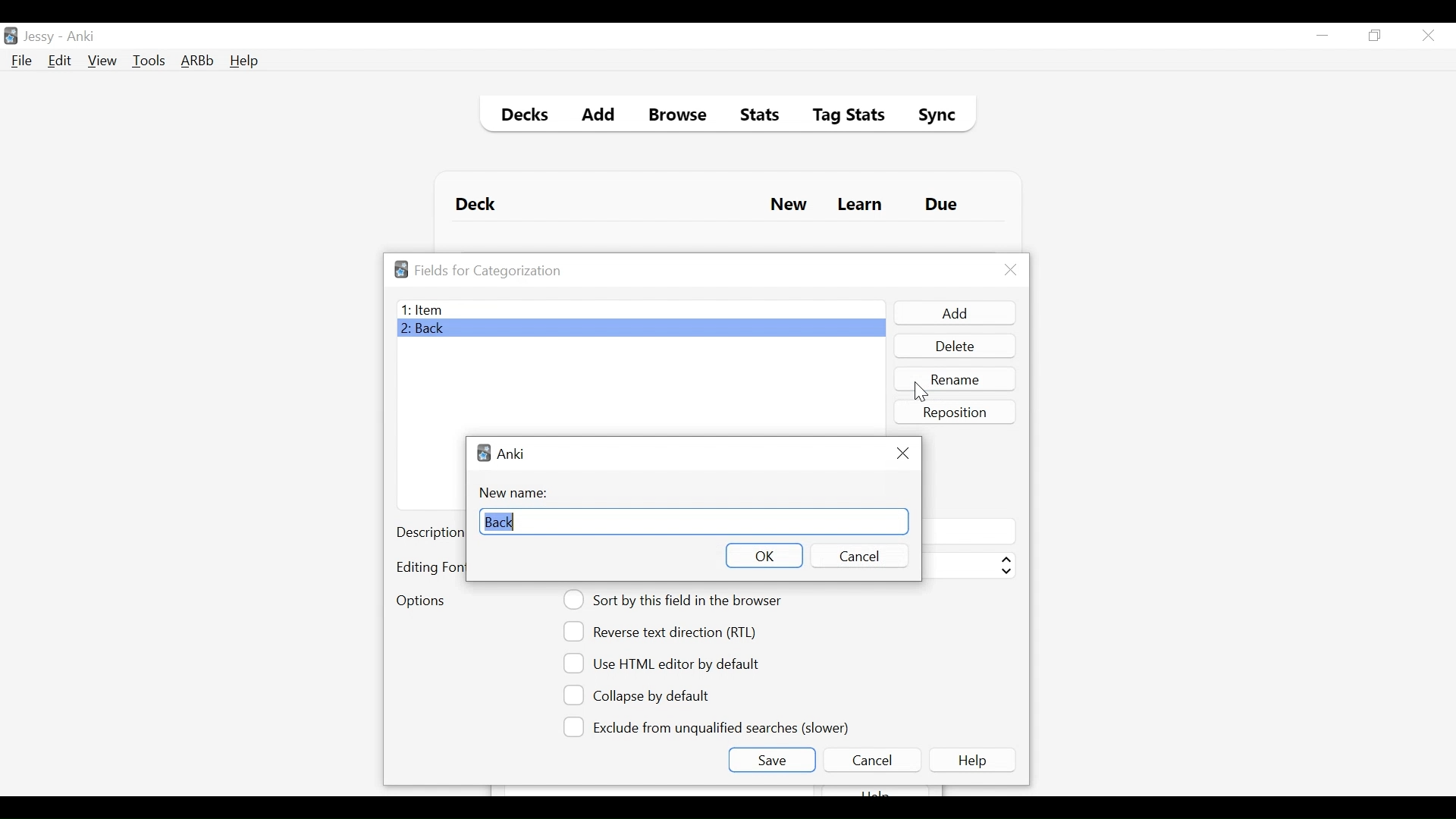 The height and width of the screenshot is (819, 1456). What do you see at coordinates (518, 493) in the screenshot?
I see `New Name` at bounding box center [518, 493].